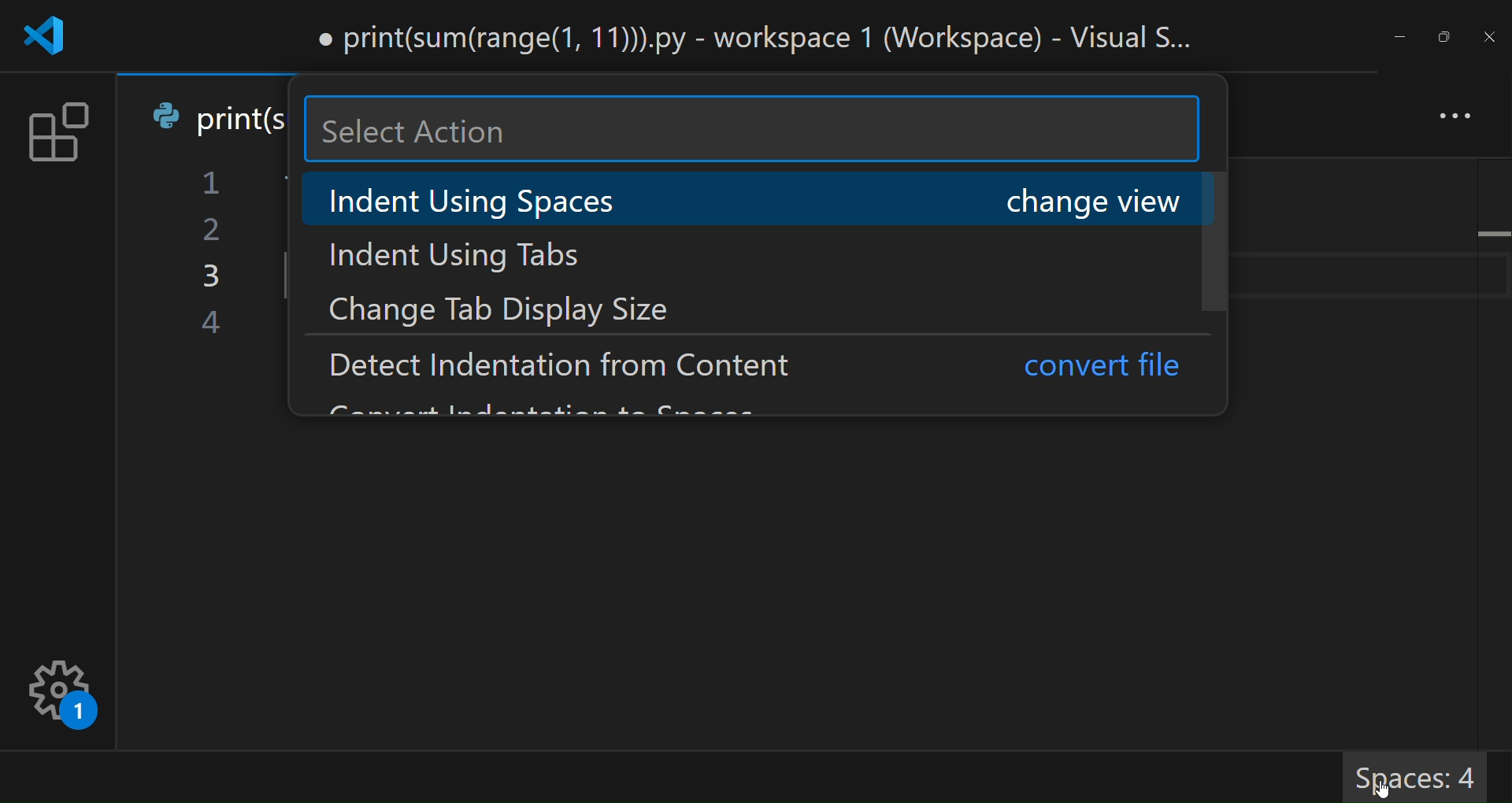 This screenshot has width=1512, height=803. I want to click on search here, so click(756, 129).